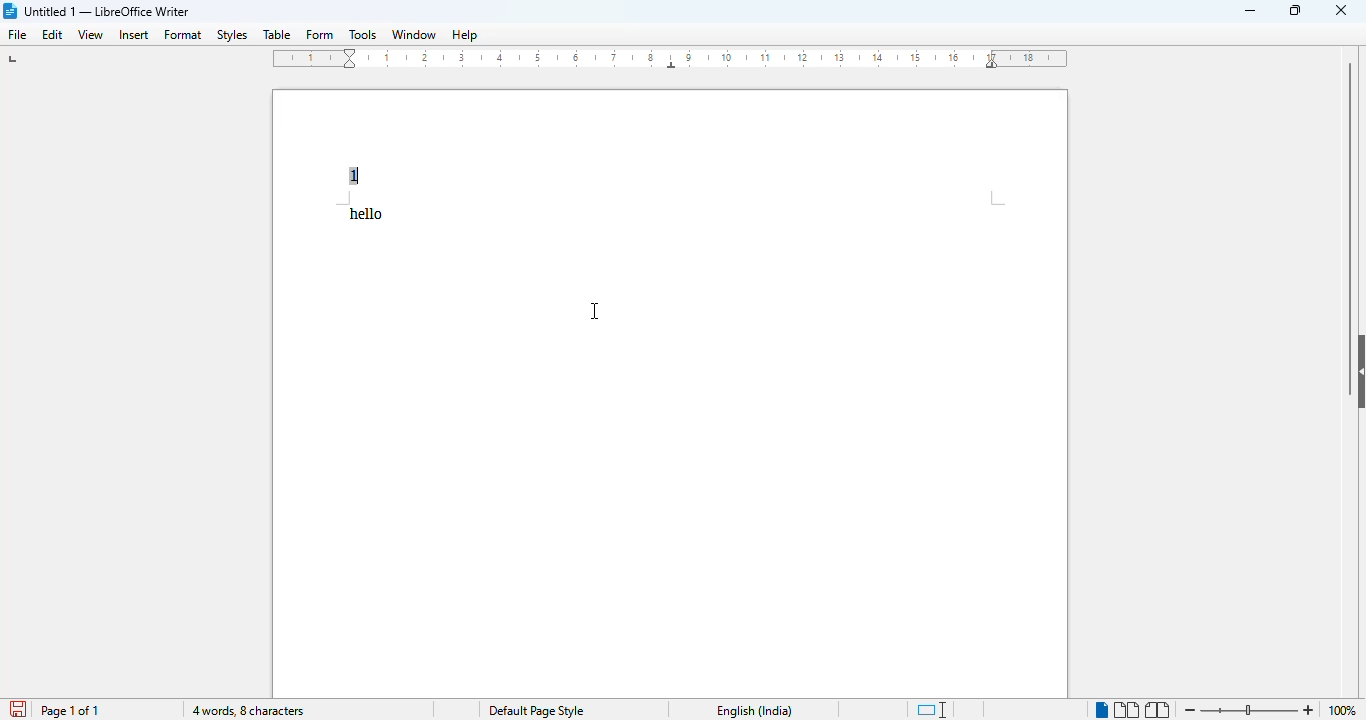 The width and height of the screenshot is (1366, 720). Describe the element at coordinates (595, 311) in the screenshot. I see `cursor` at that location.